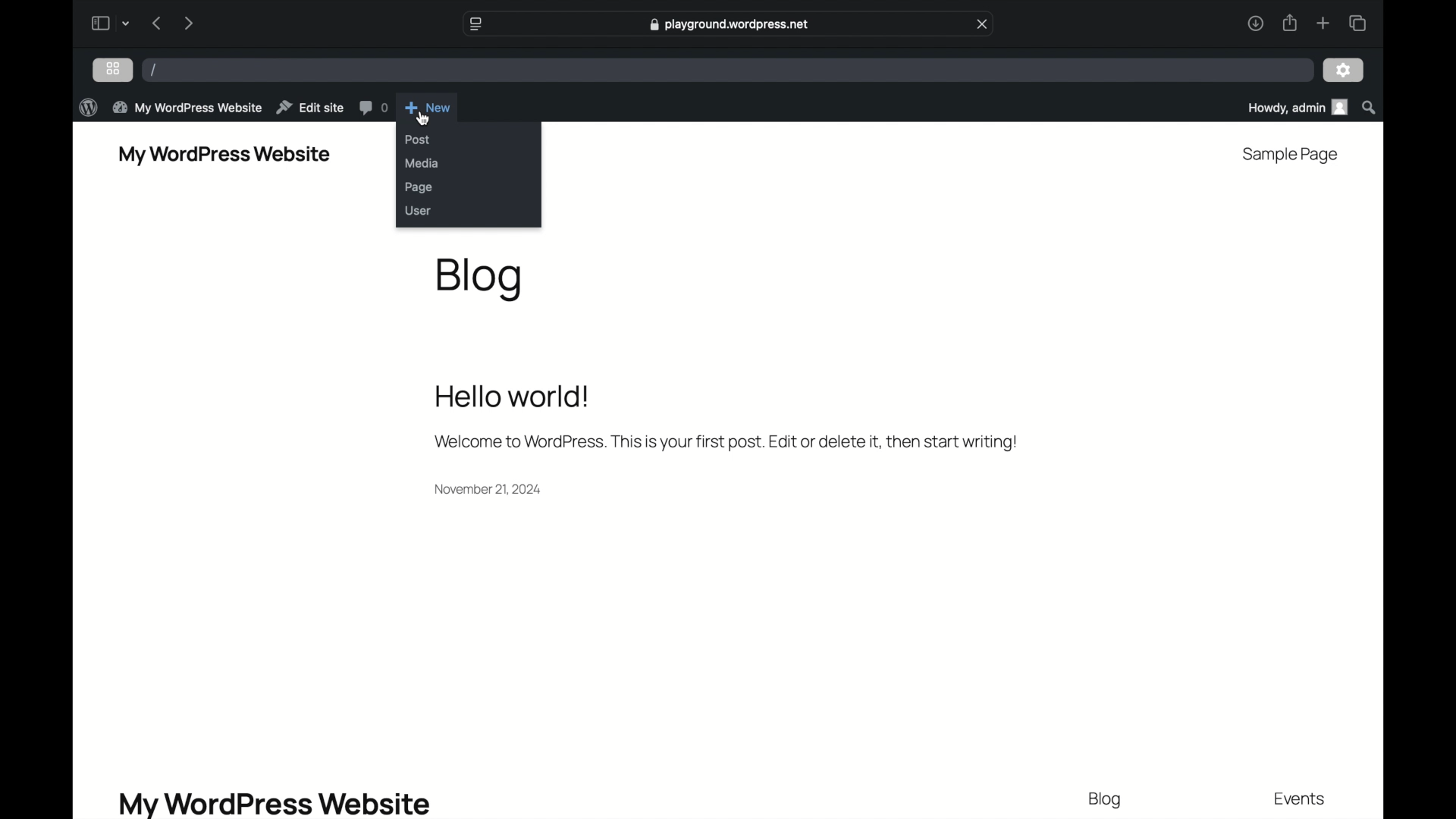  I want to click on my wordpress website, so click(224, 155).